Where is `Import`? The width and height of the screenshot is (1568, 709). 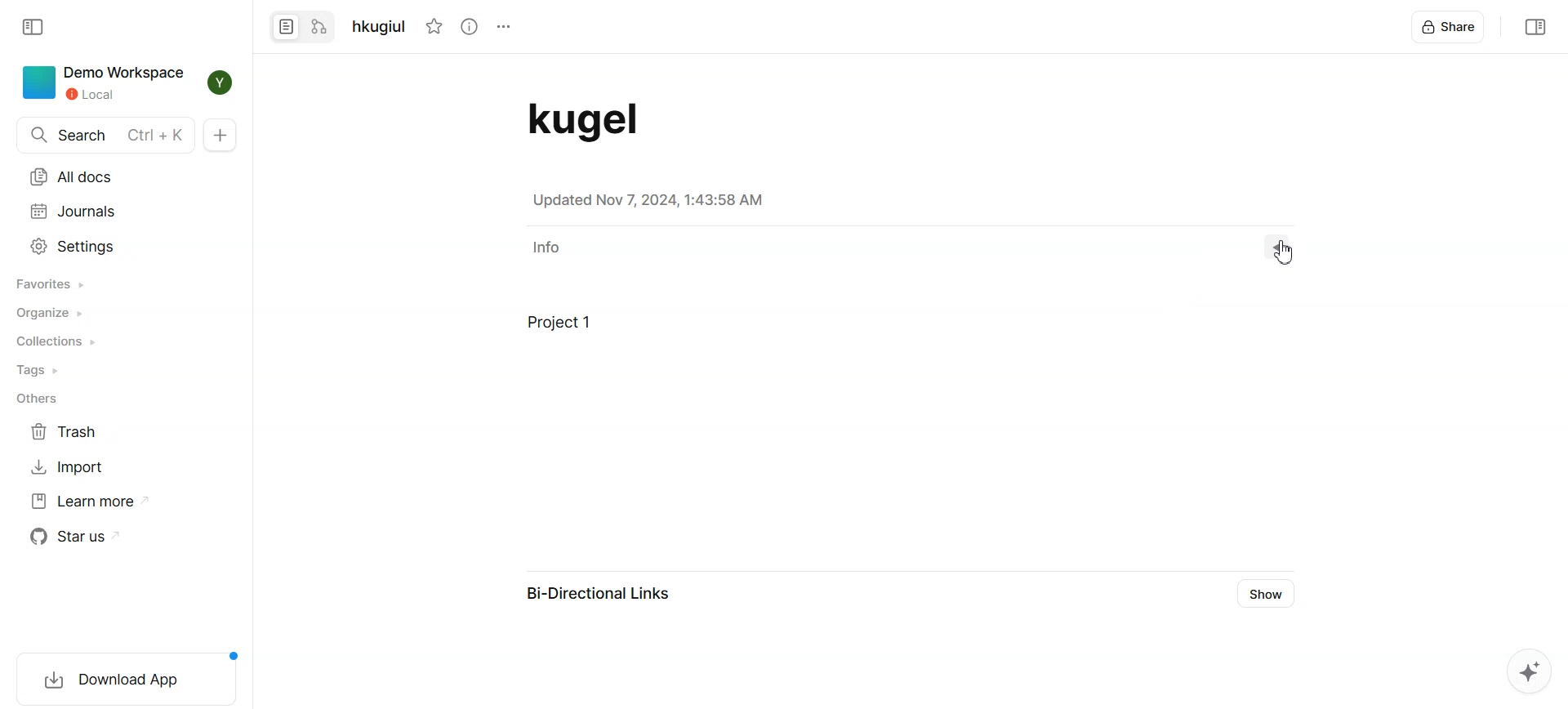
Import is located at coordinates (69, 466).